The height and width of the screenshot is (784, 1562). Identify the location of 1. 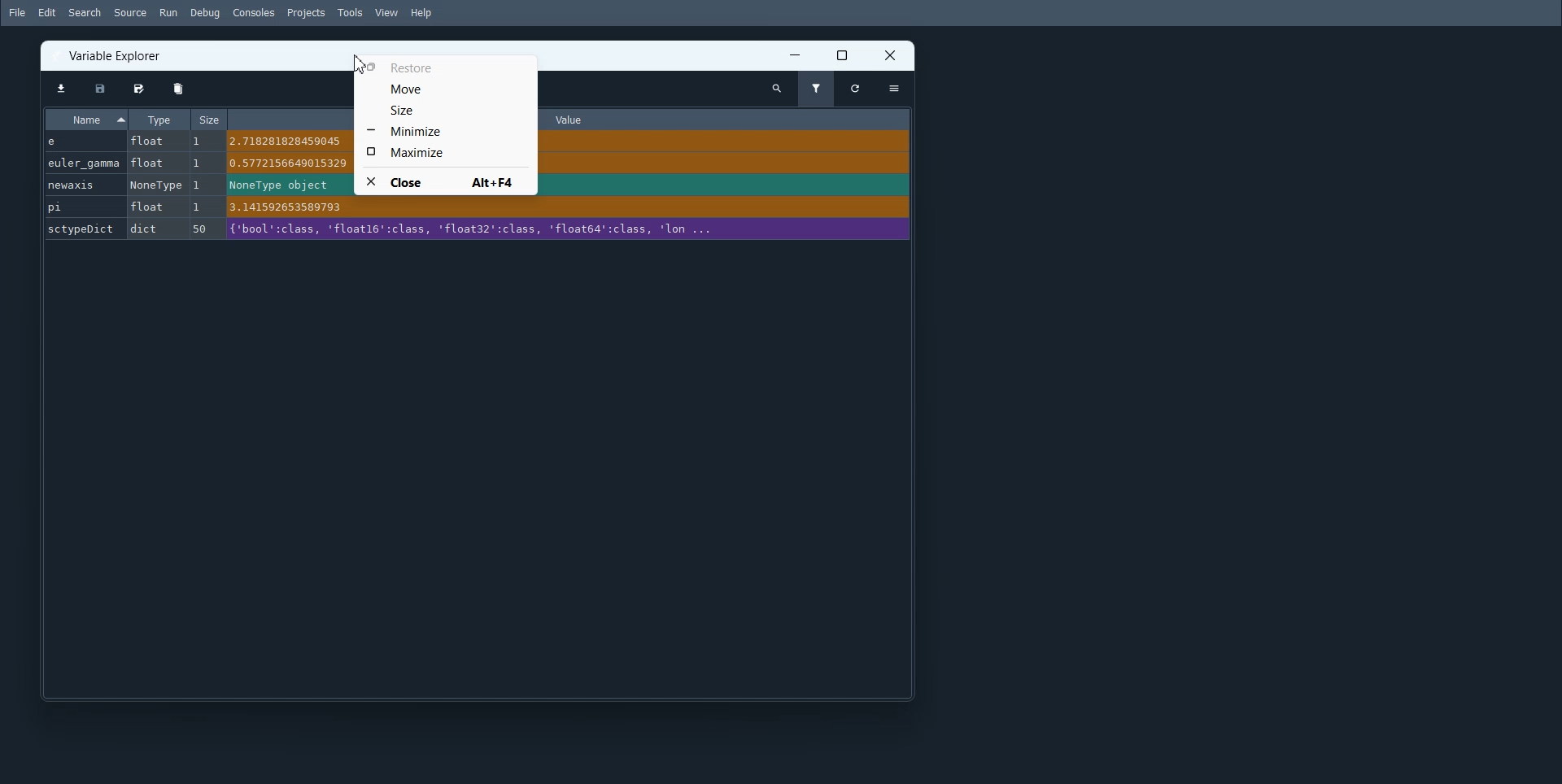
(200, 184).